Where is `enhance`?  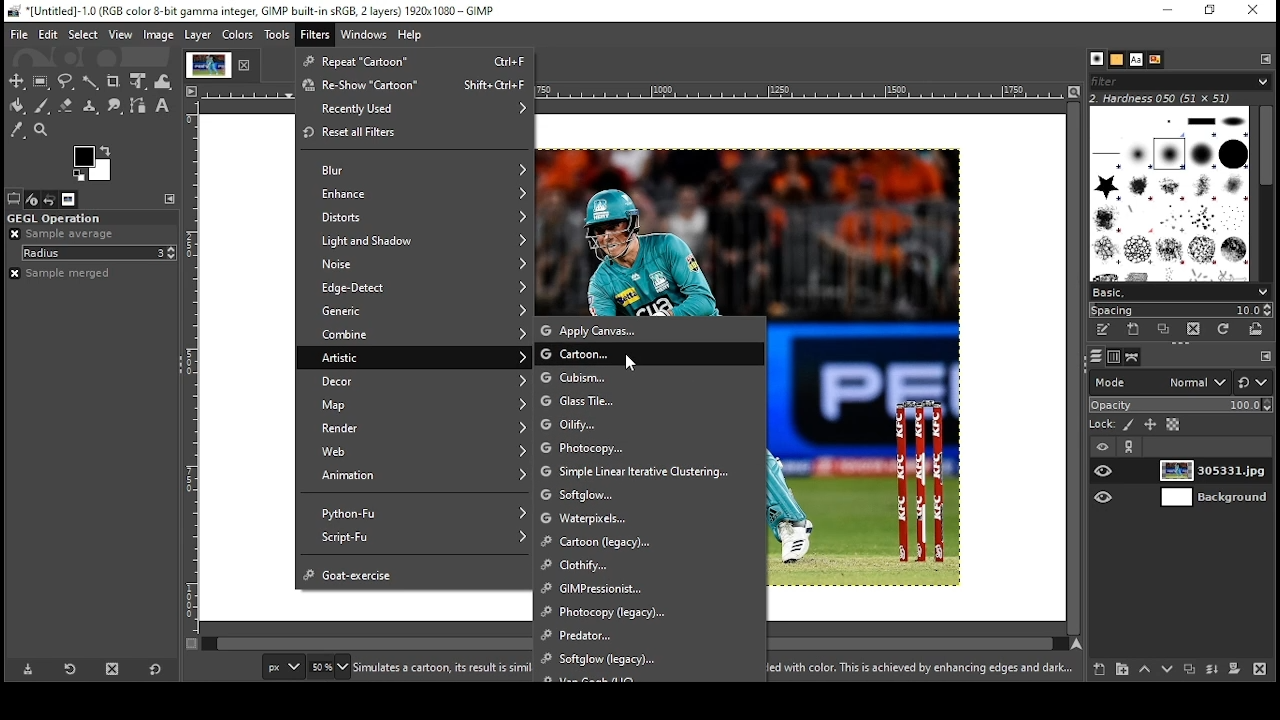
enhance is located at coordinates (415, 194).